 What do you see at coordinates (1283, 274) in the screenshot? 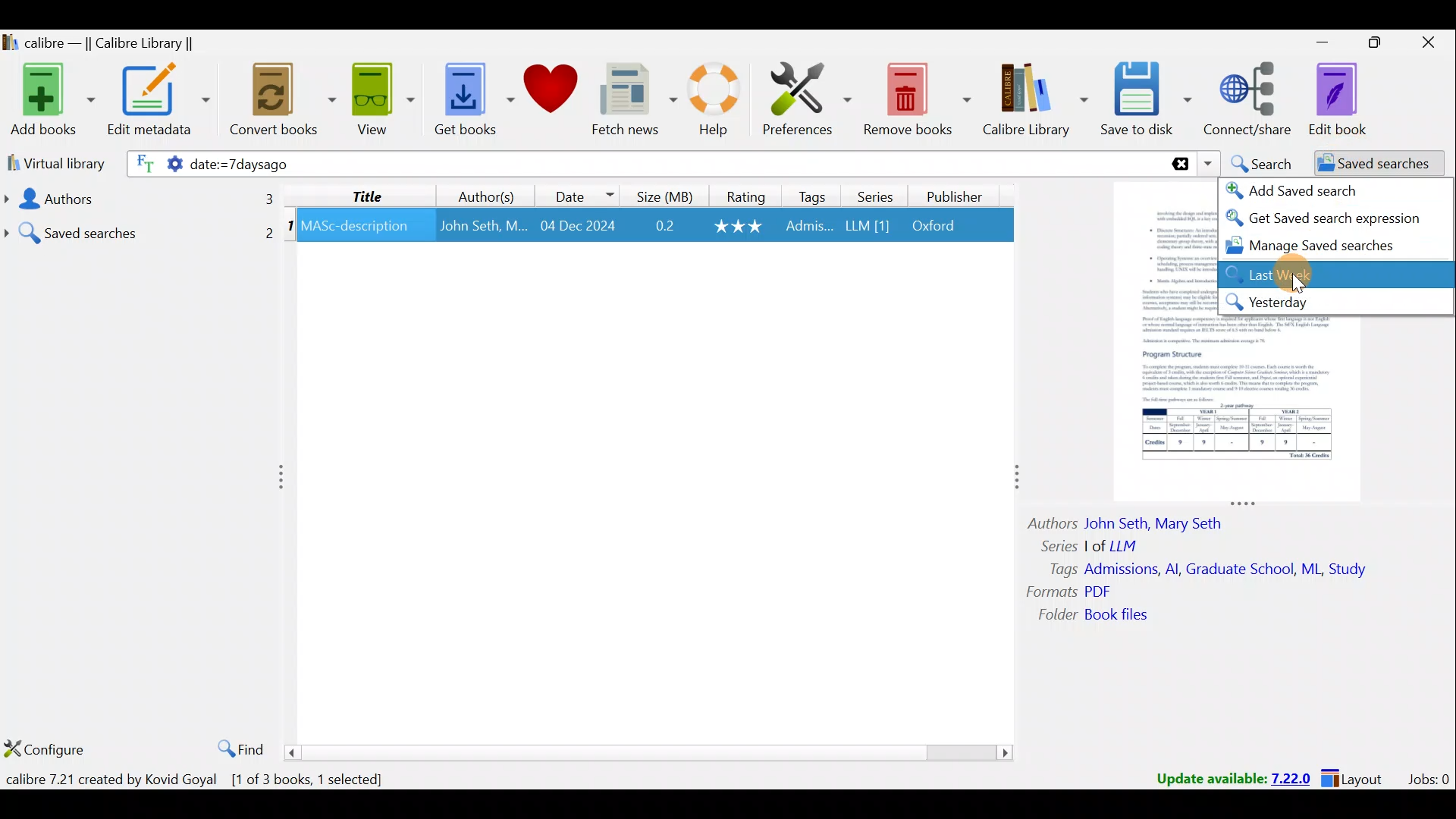
I see `Last week` at bounding box center [1283, 274].